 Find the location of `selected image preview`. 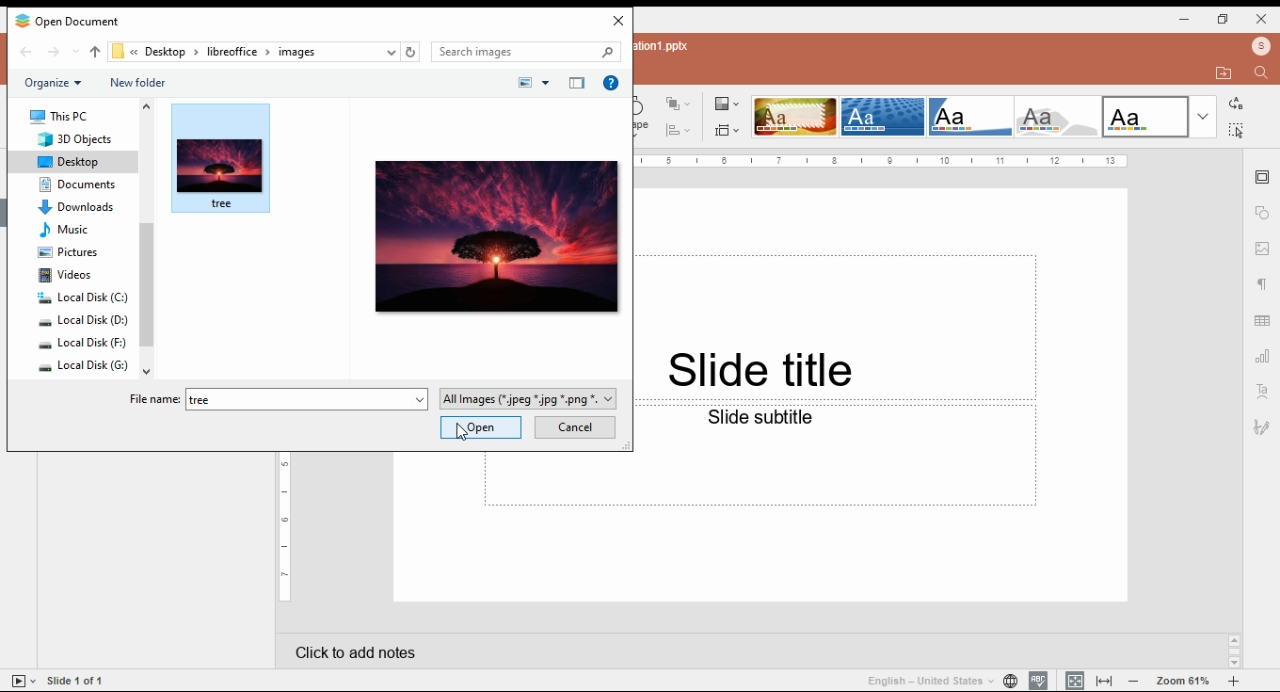

selected image preview is located at coordinates (496, 235).